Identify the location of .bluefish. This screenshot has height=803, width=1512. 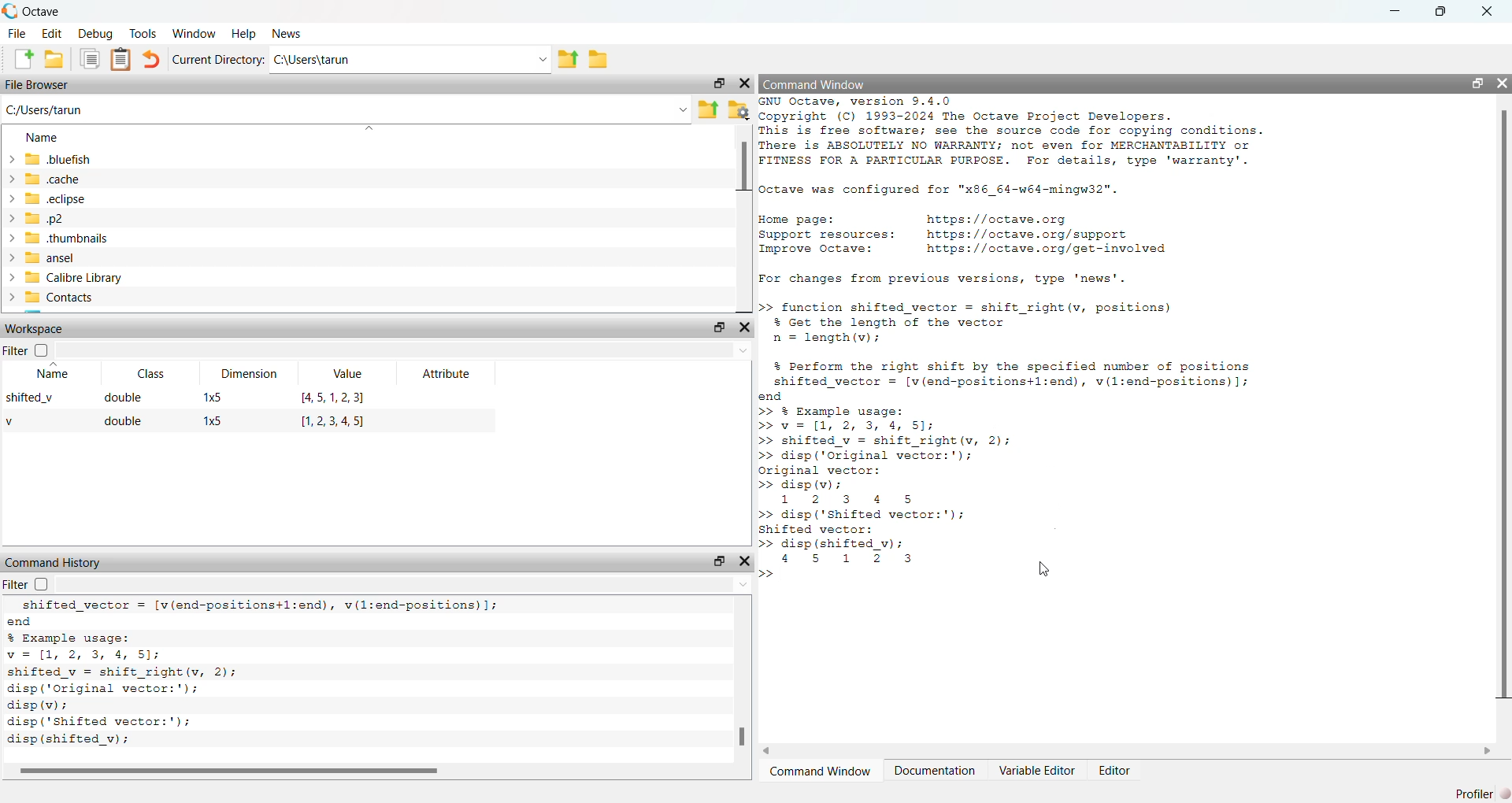
(107, 160).